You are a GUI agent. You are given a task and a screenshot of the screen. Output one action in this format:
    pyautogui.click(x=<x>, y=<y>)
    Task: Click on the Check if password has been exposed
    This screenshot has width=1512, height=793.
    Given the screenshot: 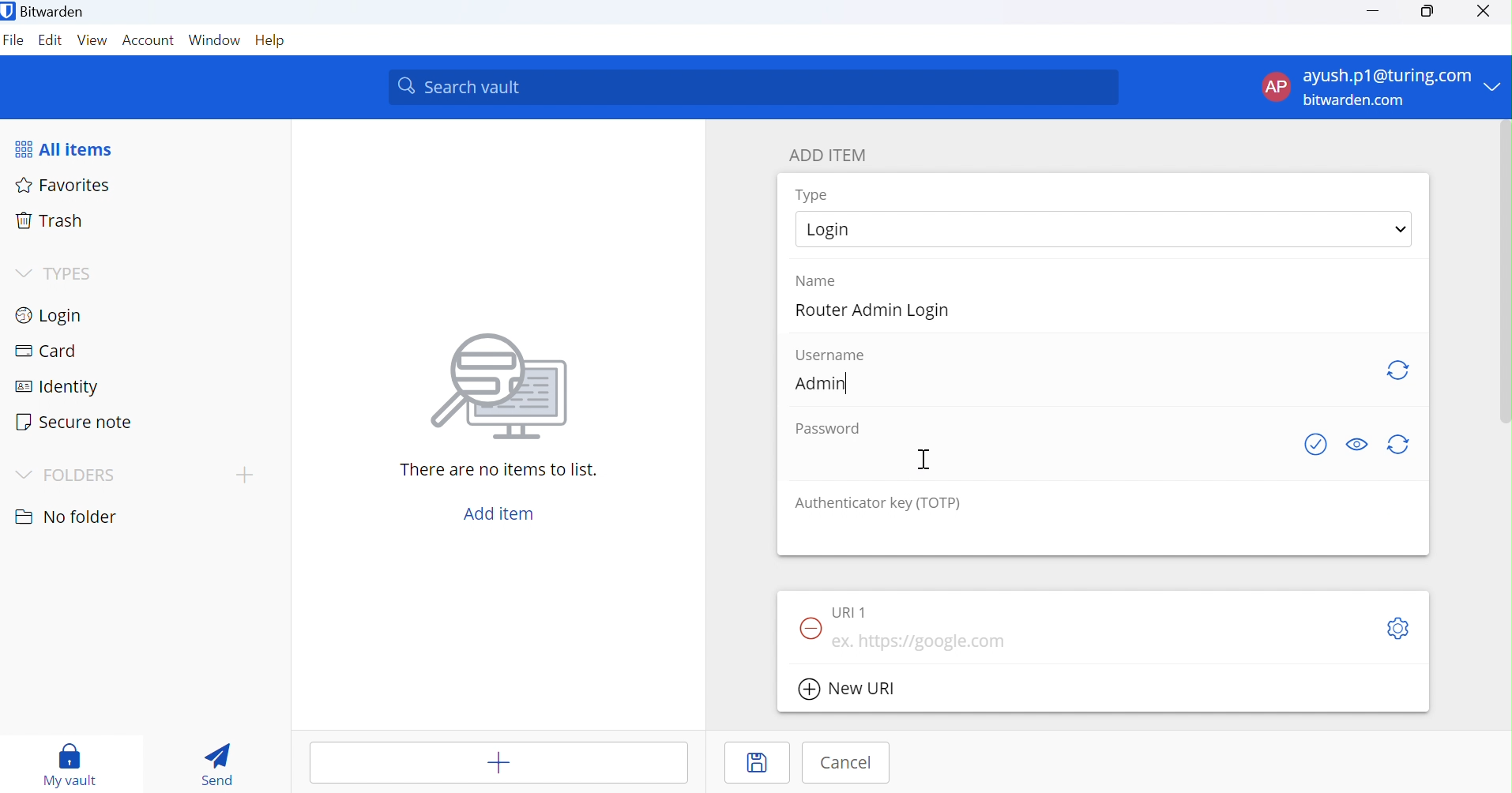 What is the action you would take?
    pyautogui.click(x=1309, y=445)
    